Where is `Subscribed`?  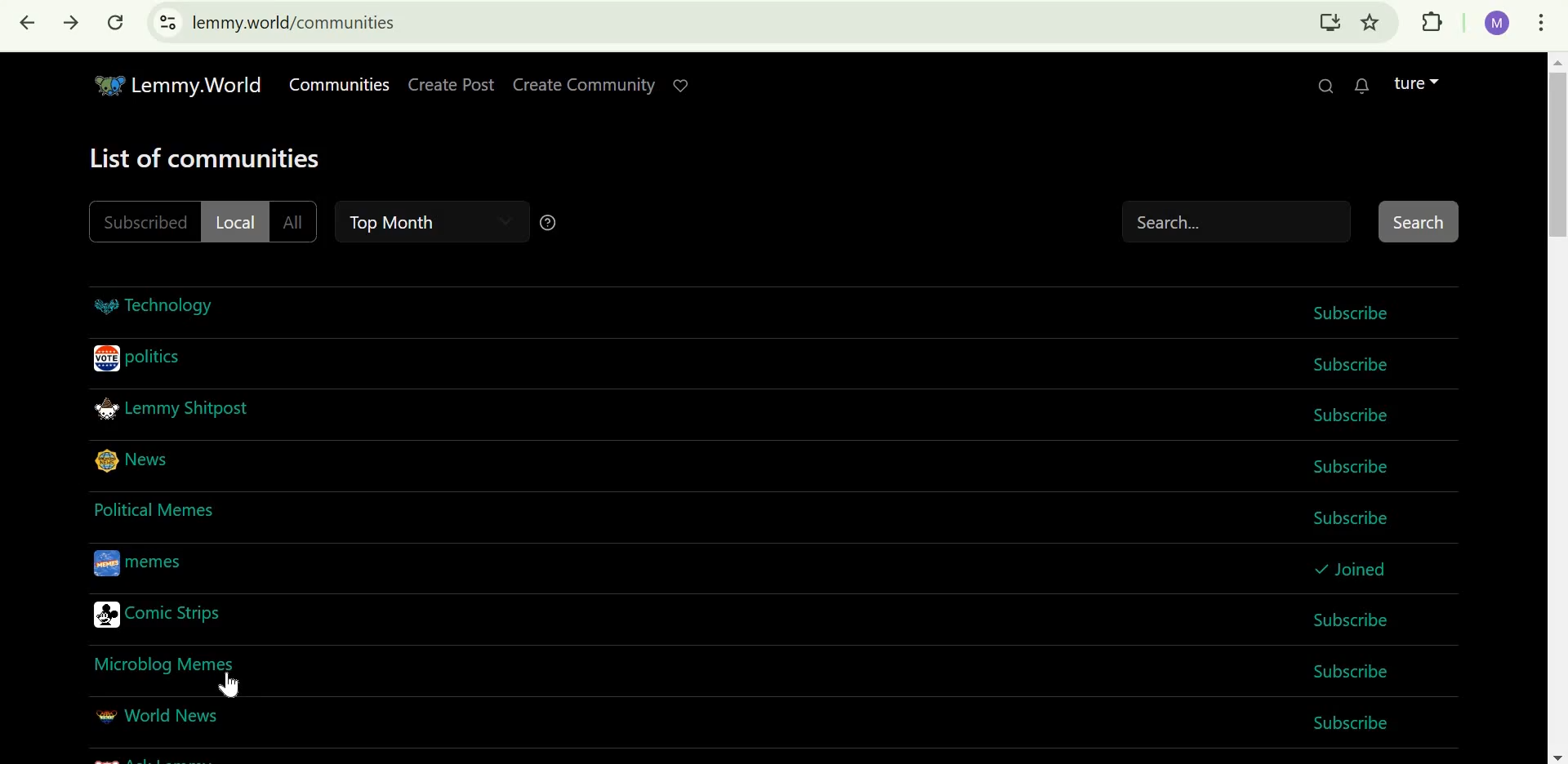
Subscribed is located at coordinates (145, 220).